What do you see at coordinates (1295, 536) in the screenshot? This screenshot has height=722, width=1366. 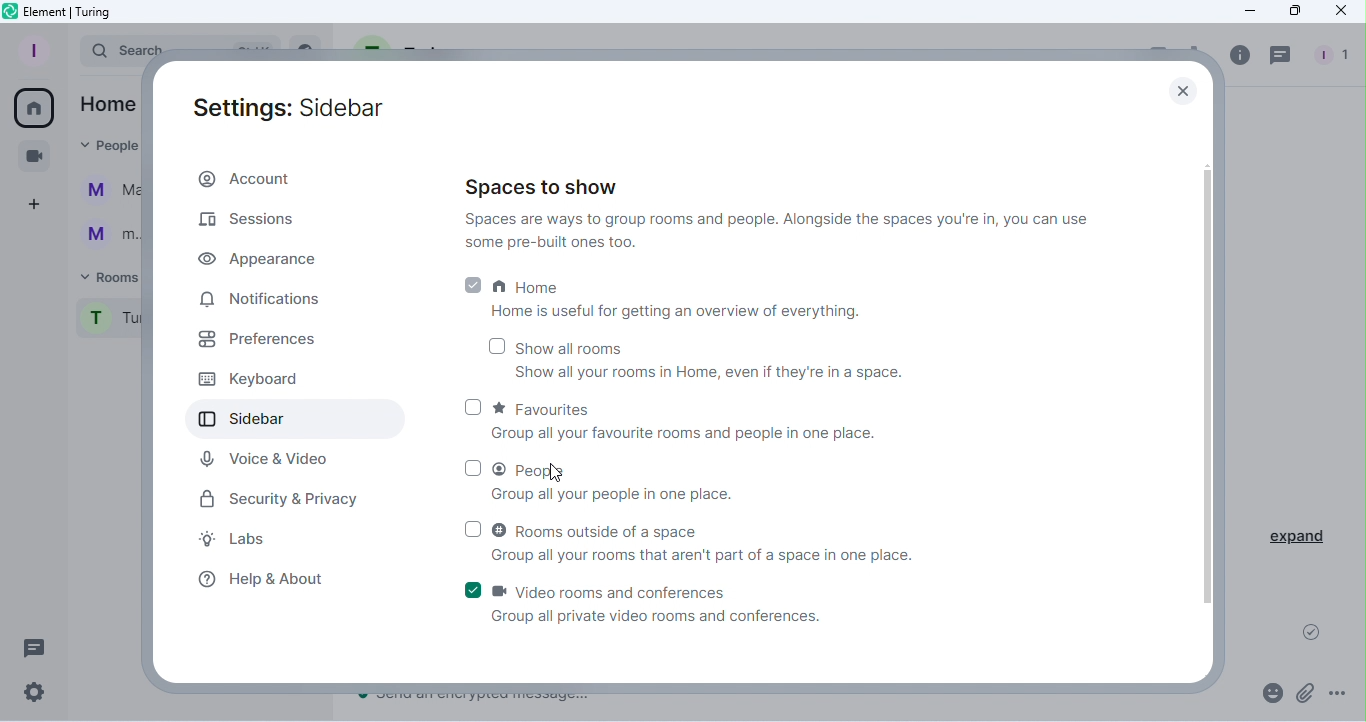 I see `Expand` at bounding box center [1295, 536].